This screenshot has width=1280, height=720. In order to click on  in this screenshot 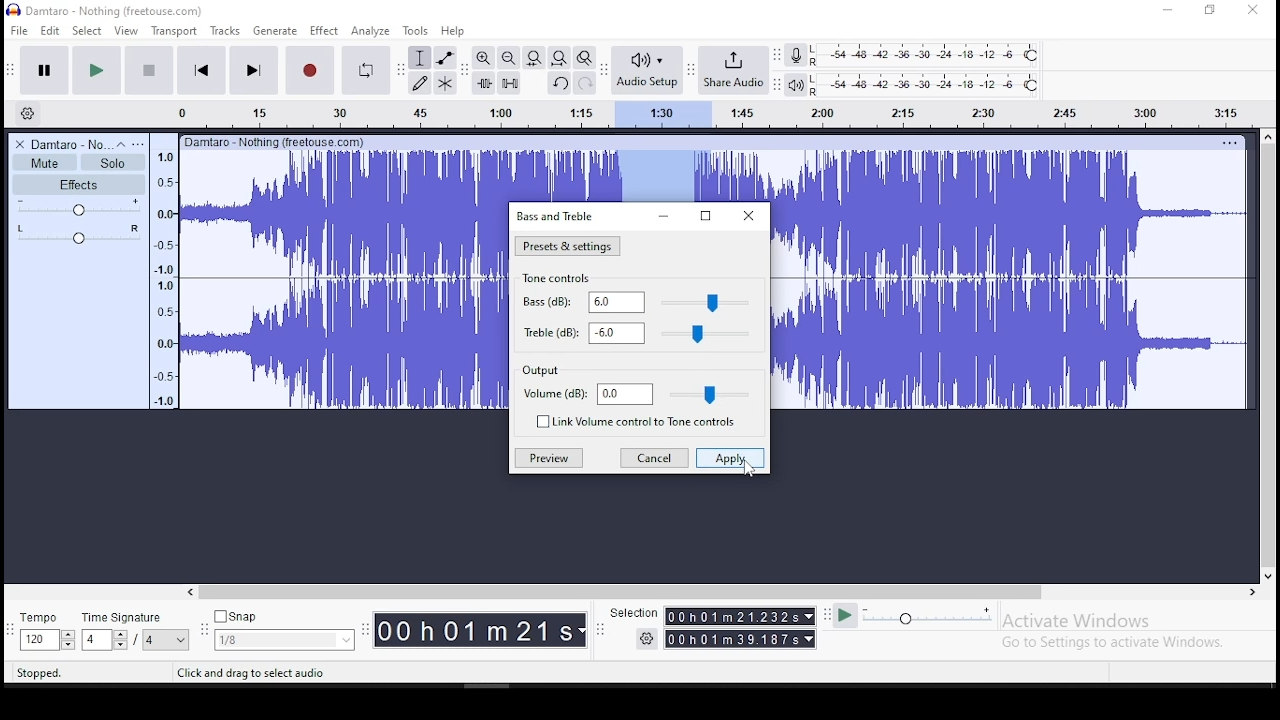, I will do `click(8, 629)`.